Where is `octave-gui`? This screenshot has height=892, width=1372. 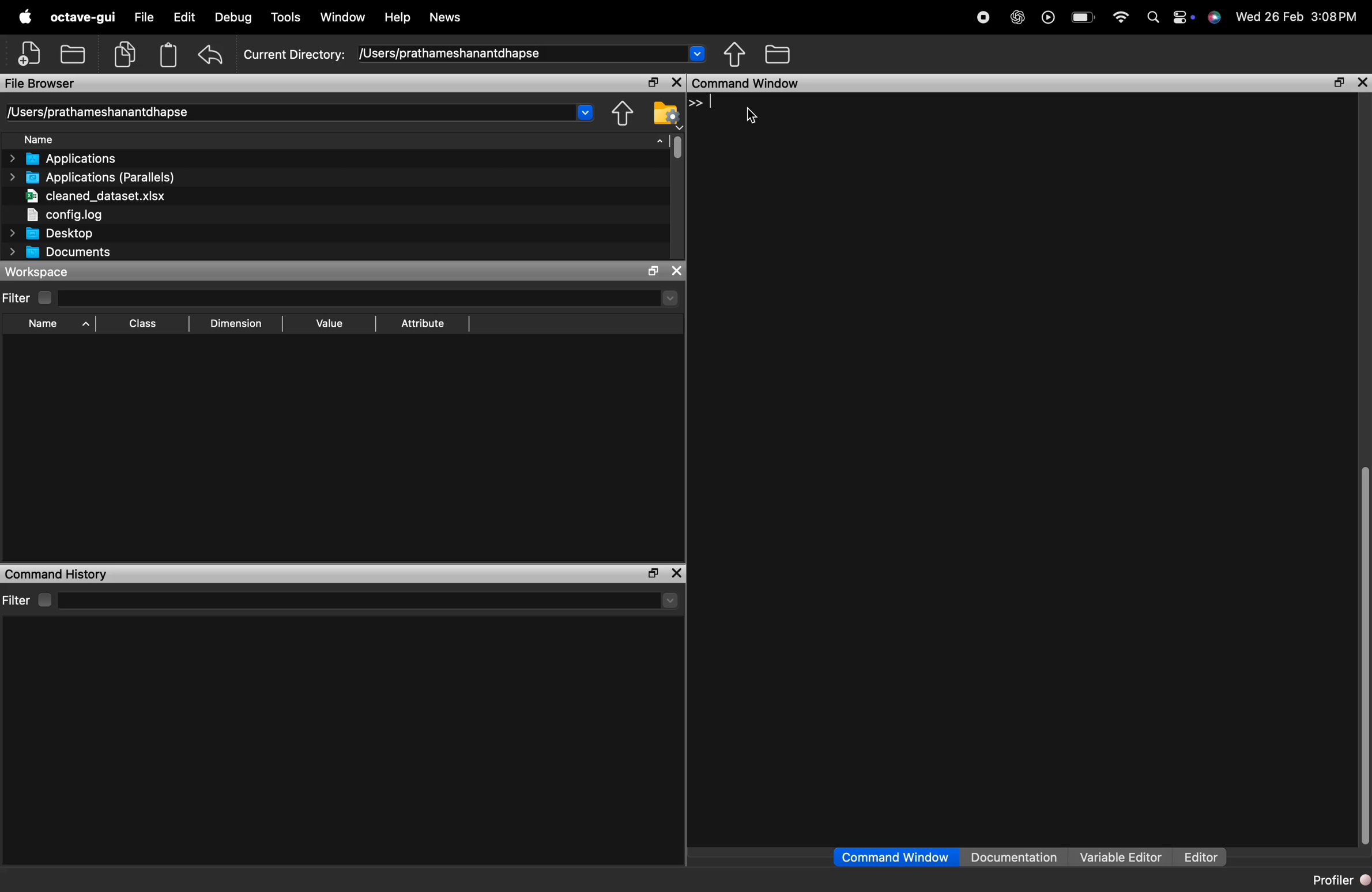
octave-gui is located at coordinates (82, 18).